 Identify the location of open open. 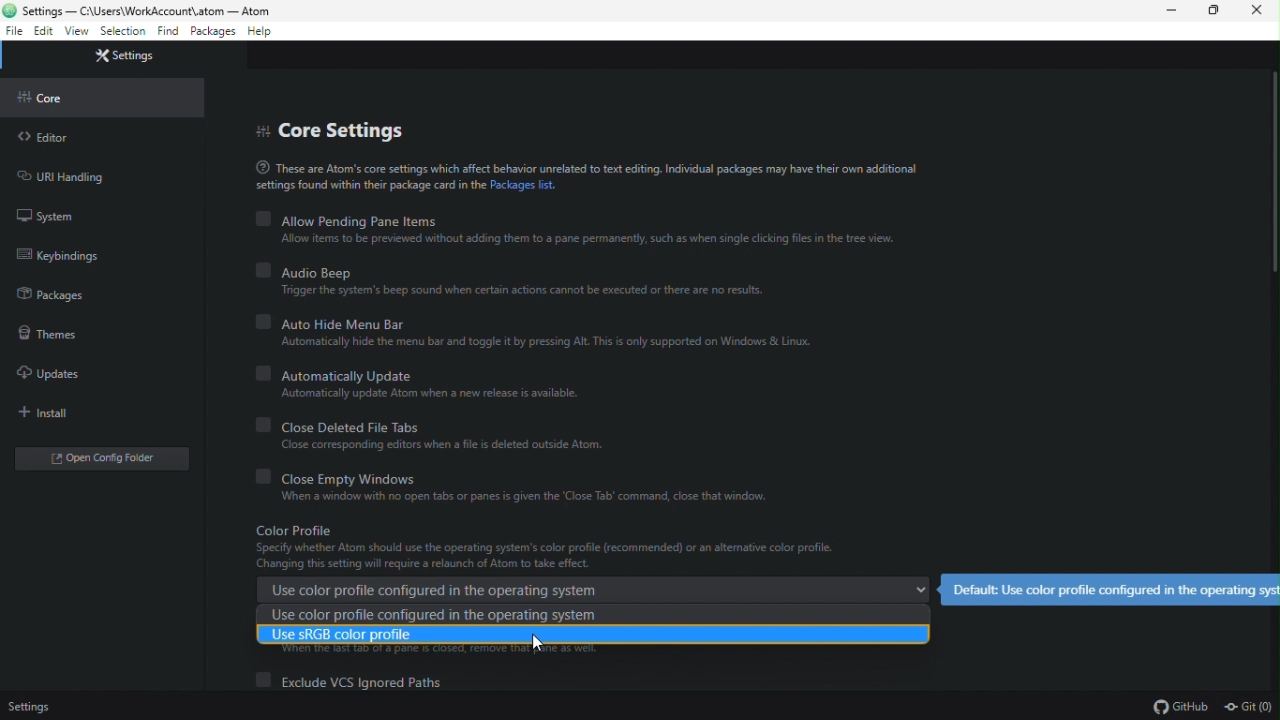
(107, 457).